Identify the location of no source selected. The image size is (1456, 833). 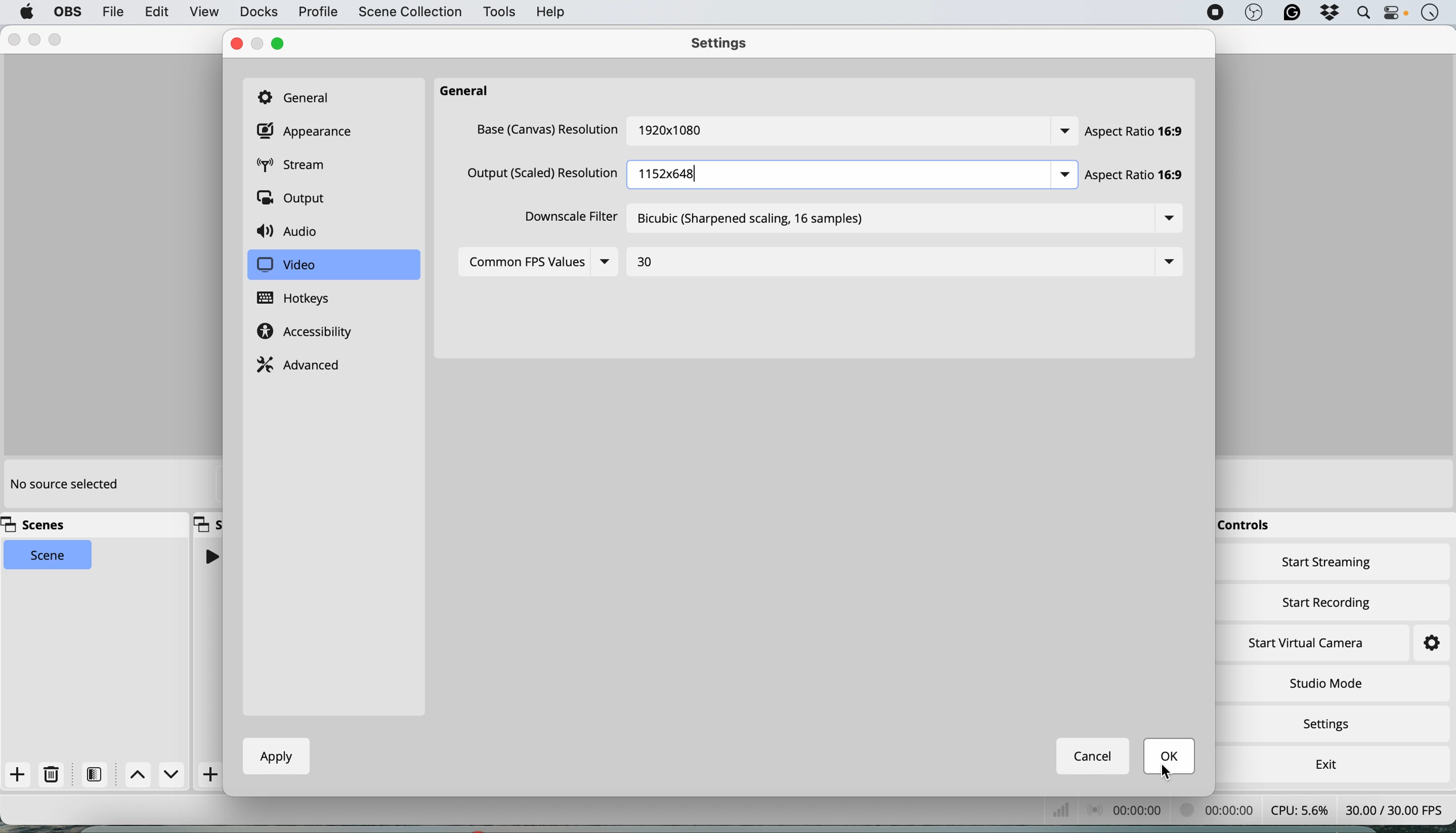
(63, 485).